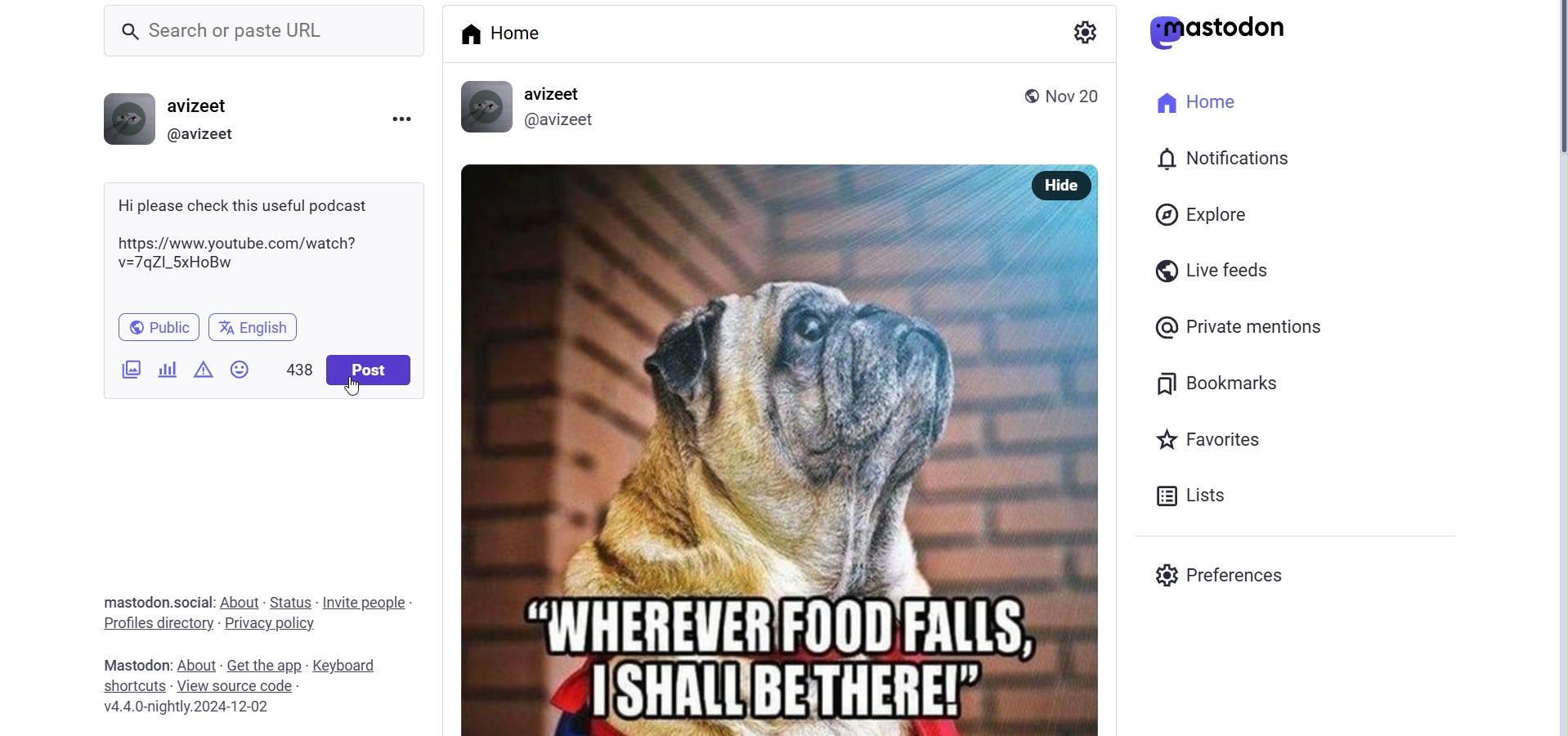 Image resolution: width=1568 pixels, height=736 pixels. Describe the element at coordinates (167, 368) in the screenshot. I see `add poll` at that location.